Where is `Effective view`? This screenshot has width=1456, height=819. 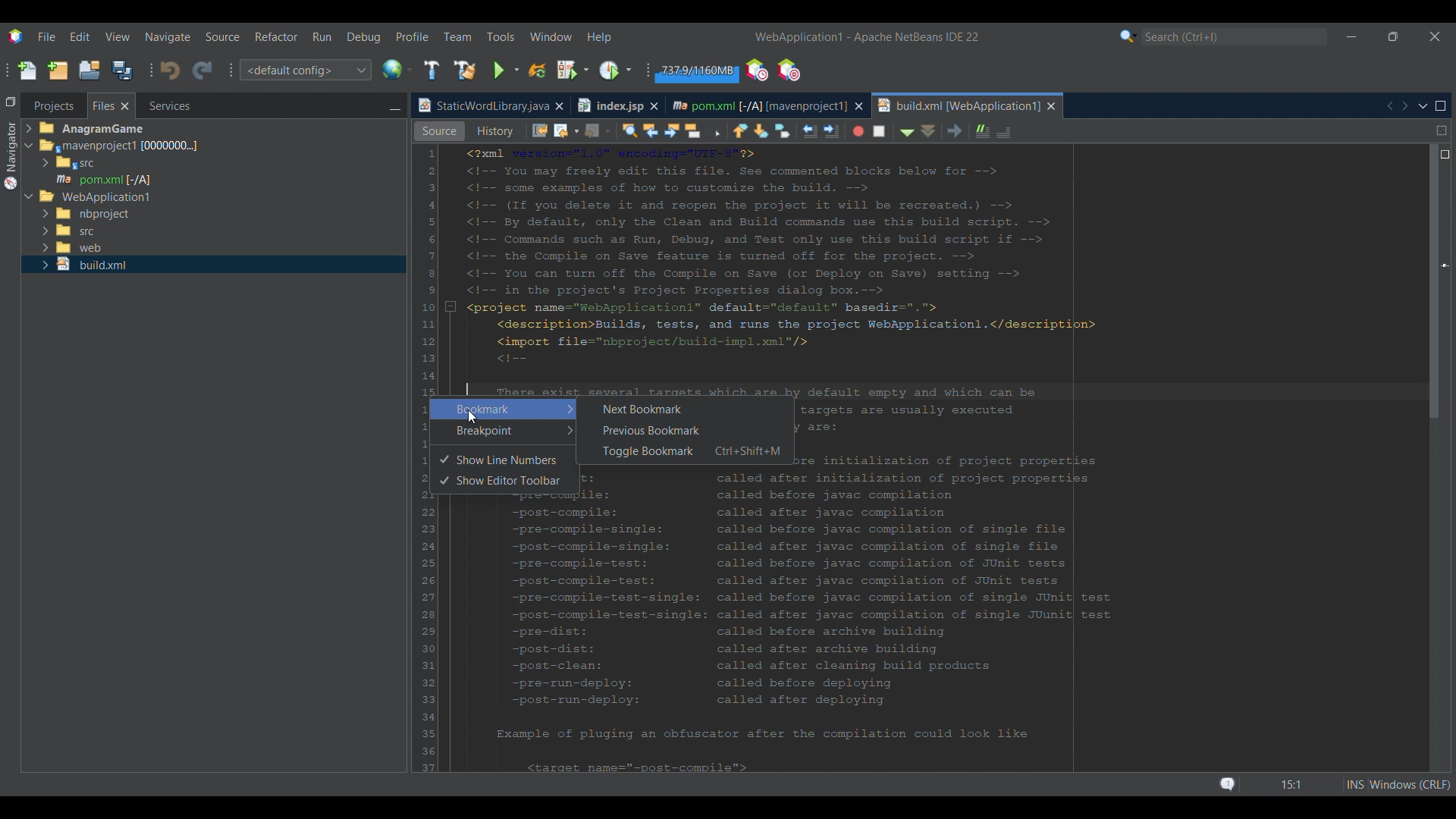 Effective view is located at coordinates (565, 131).